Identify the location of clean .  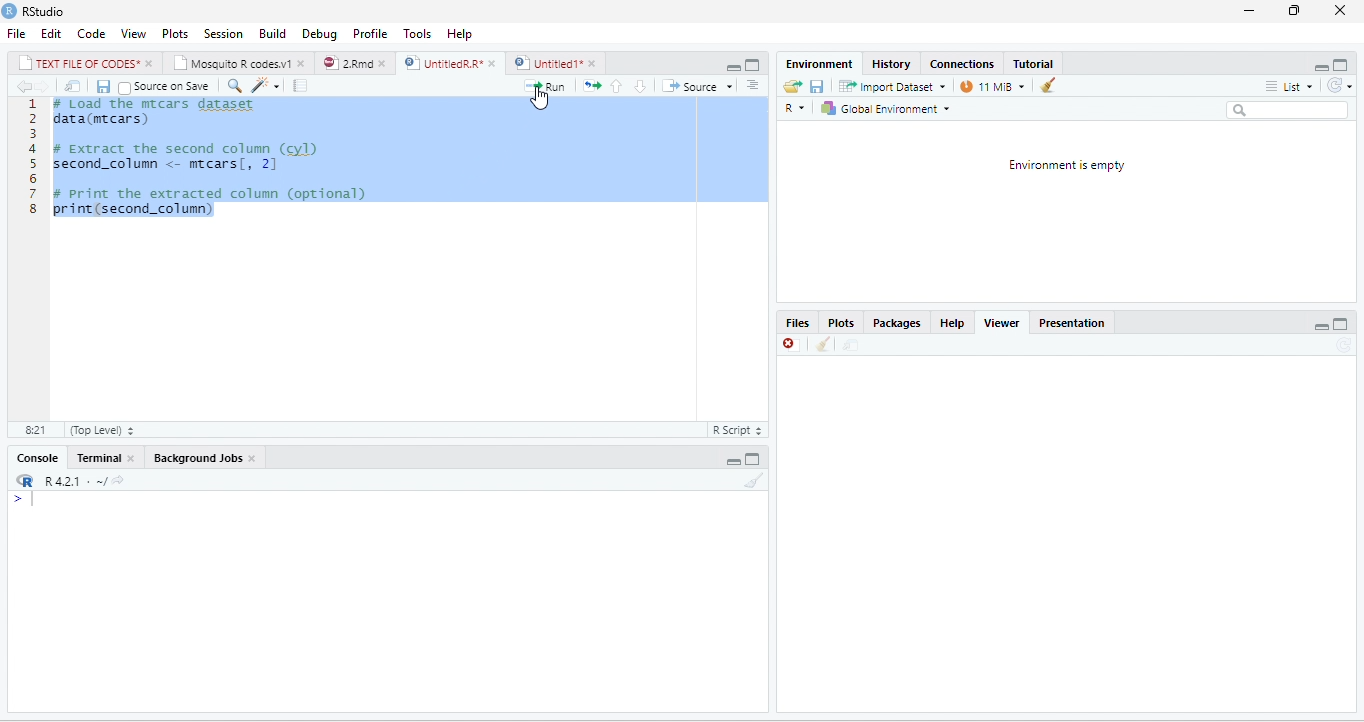
(823, 346).